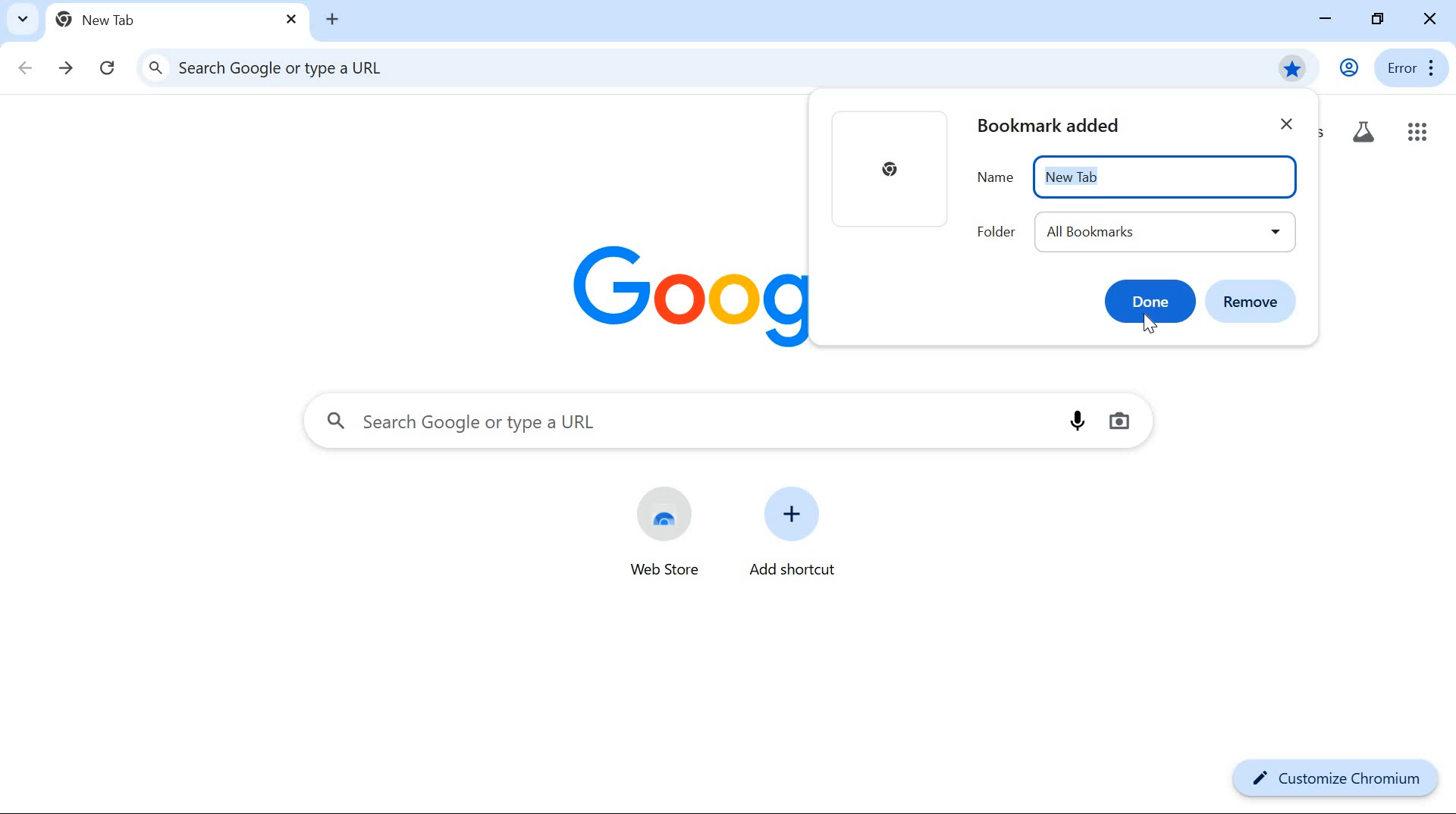  What do you see at coordinates (1249, 300) in the screenshot?
I see `remove` at bounding box center [1249, 300].